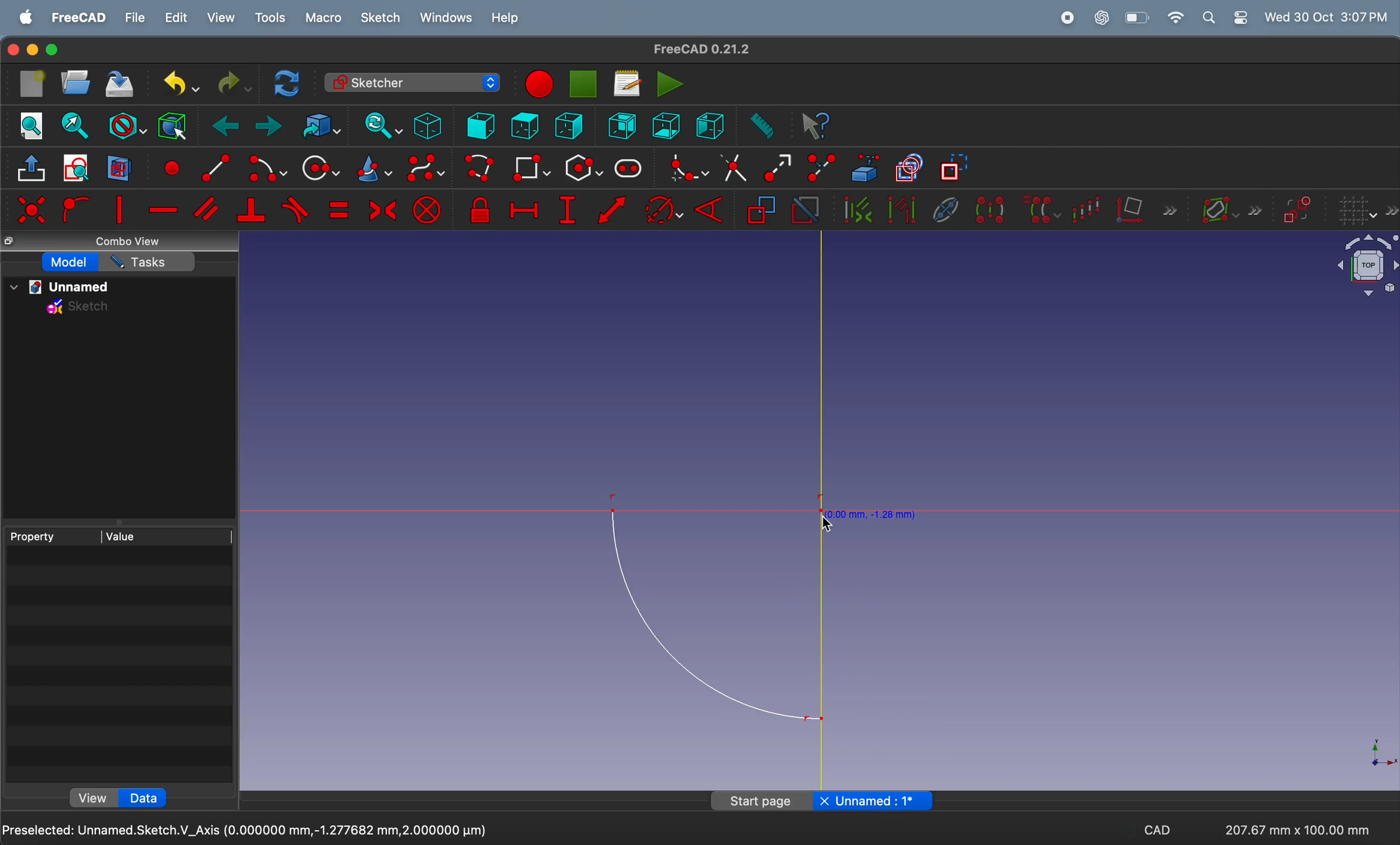 The height and width of the screenshot is (845, 1400). Describe the element at coordinates (1041, 209) in the screenshot. I see `clone` at that location.